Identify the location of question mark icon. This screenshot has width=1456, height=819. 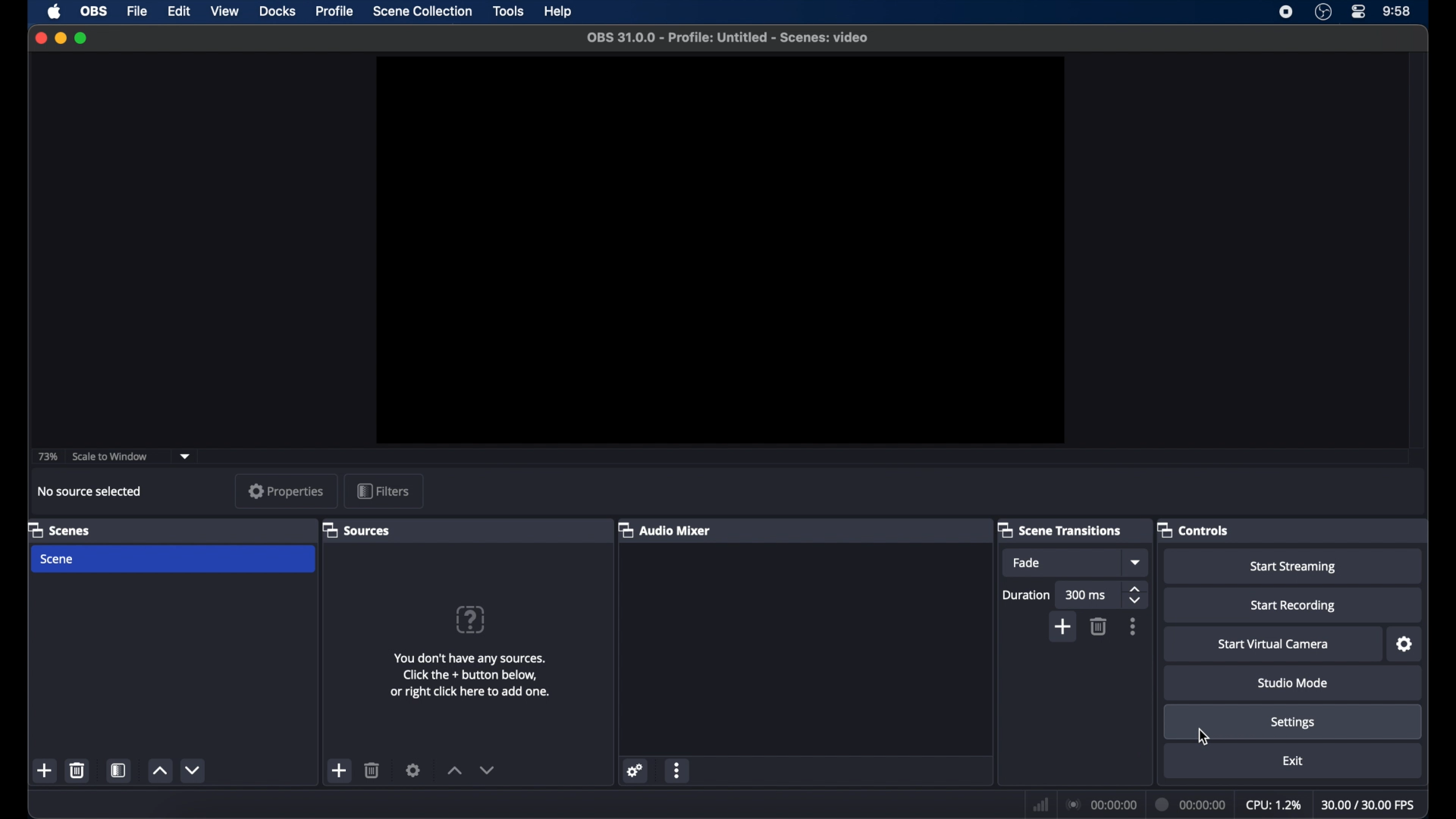
(472, 619).